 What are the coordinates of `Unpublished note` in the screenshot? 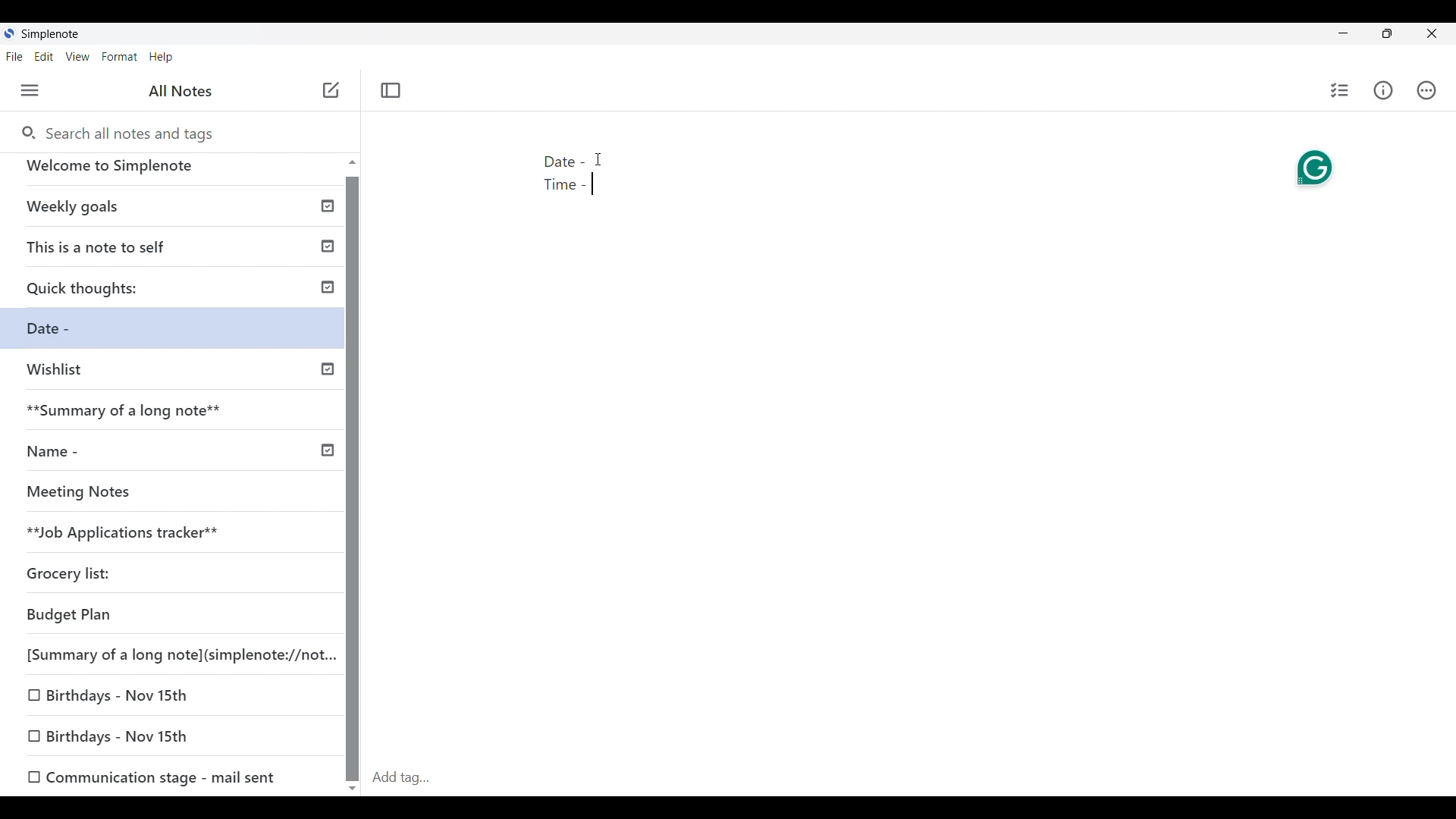 It's located at (174, 652).